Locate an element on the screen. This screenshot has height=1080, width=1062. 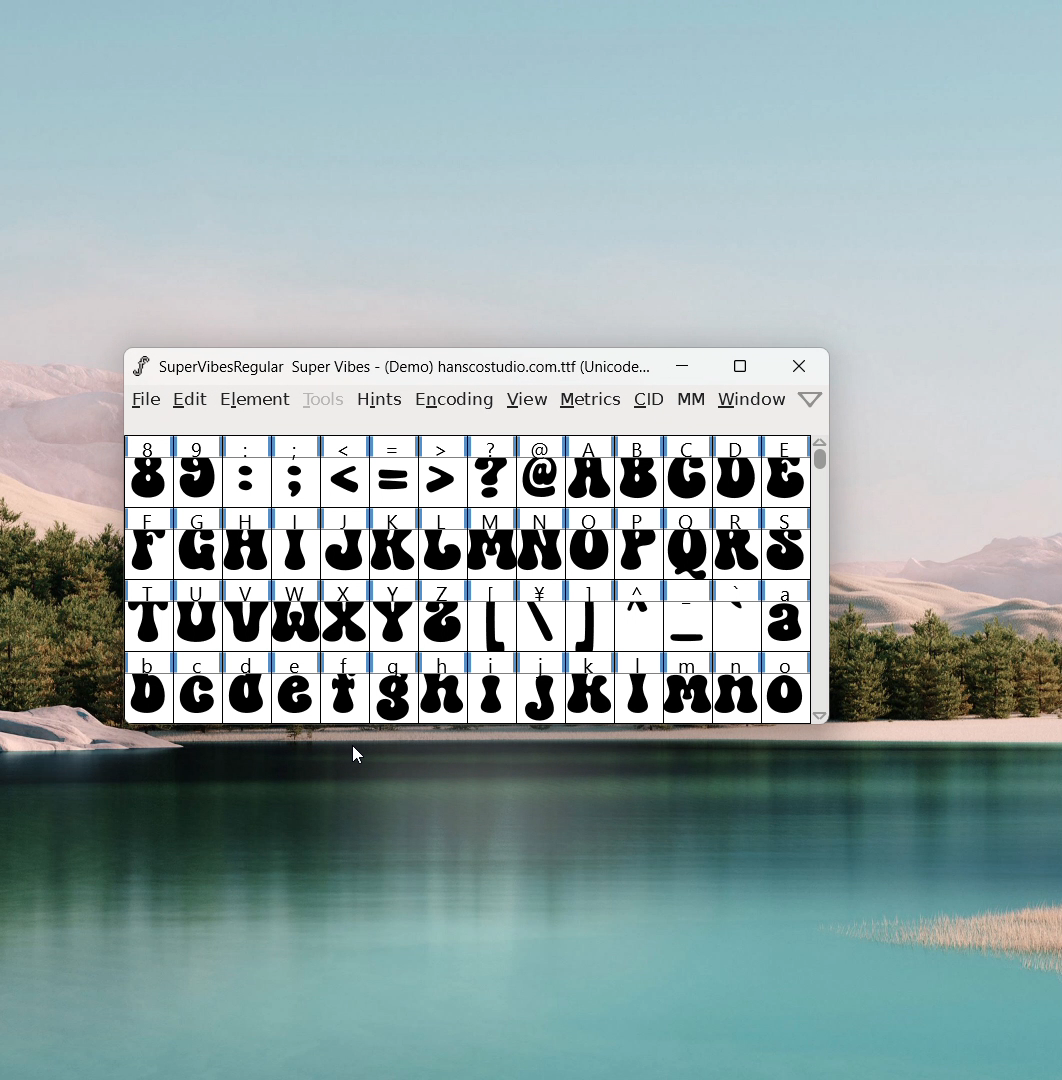
more menu is located at coordinates (810, 400).